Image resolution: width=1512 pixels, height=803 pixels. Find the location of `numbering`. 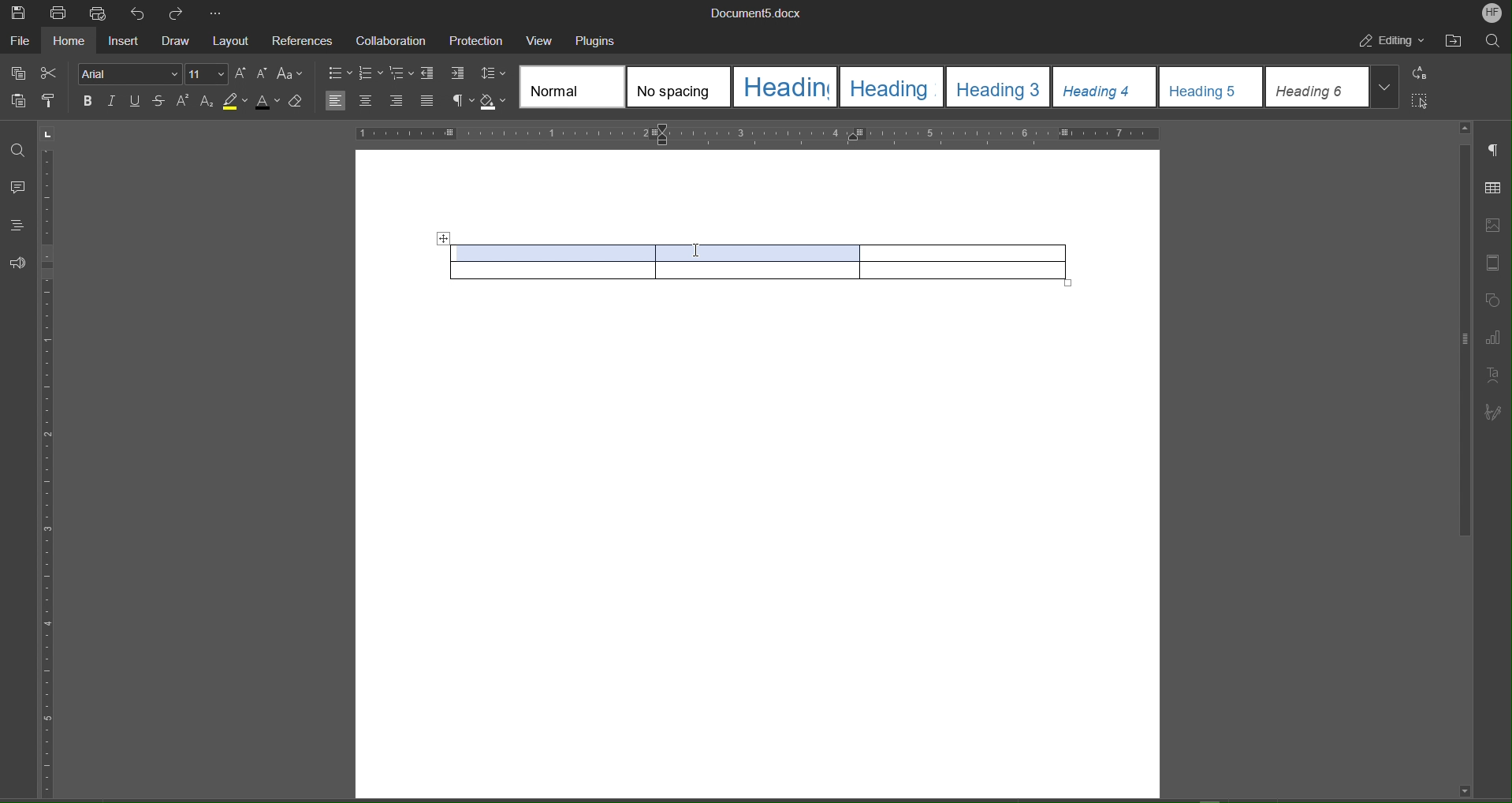

numbering is located at coordinates (371, 75).